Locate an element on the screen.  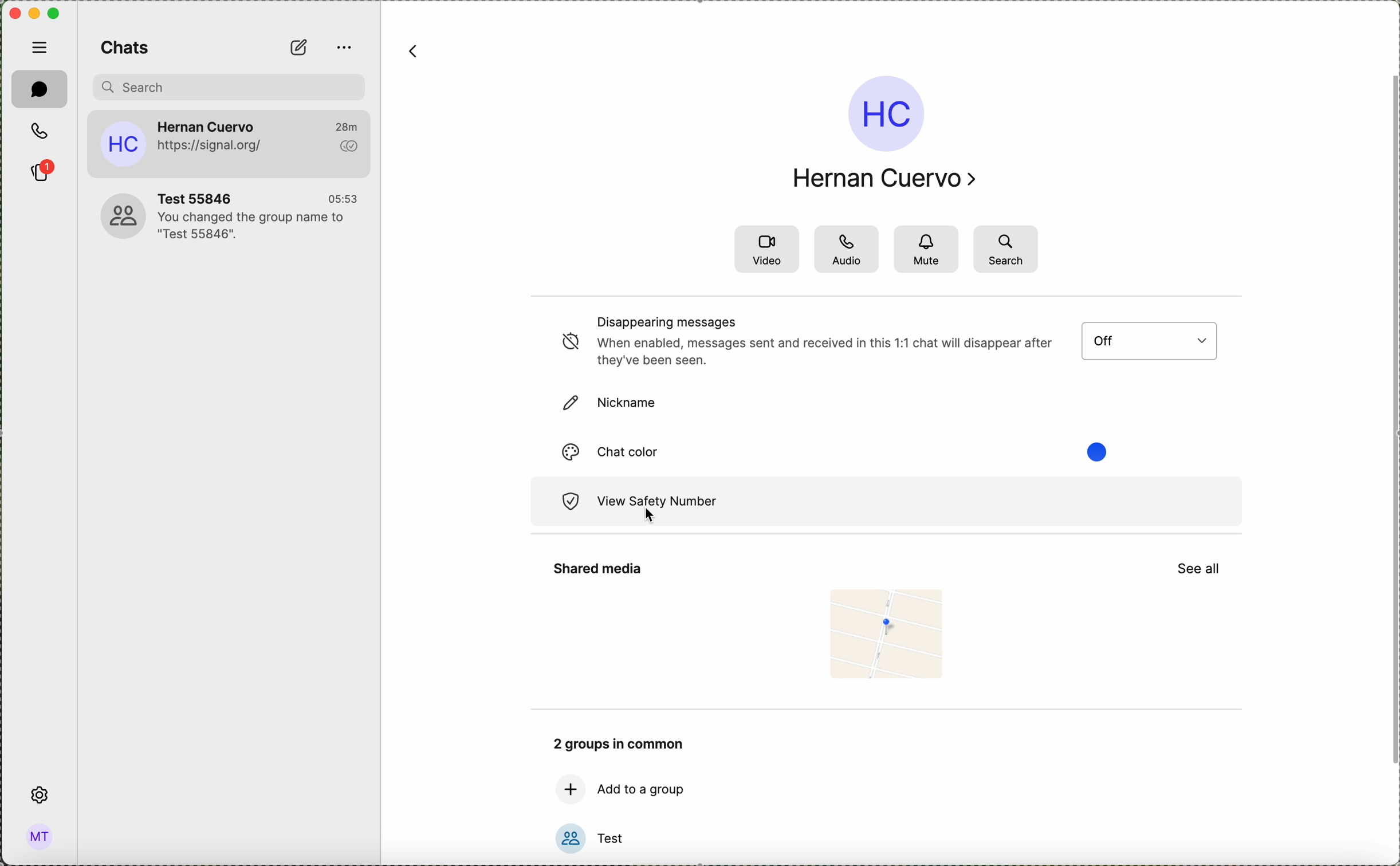
audio is located at coordinates (850, 249).